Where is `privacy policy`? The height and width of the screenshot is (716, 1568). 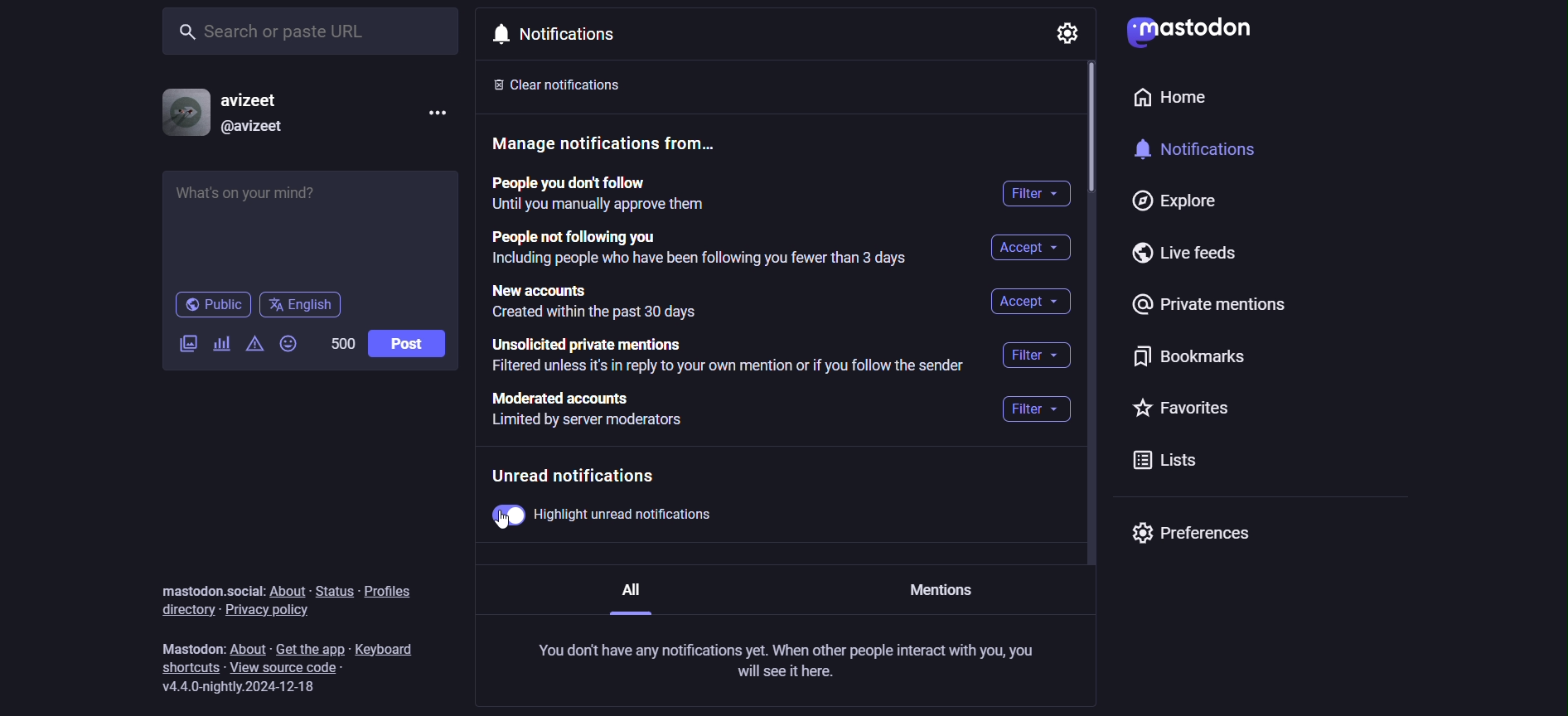
privacy policy is located at coordinates (270, 611).